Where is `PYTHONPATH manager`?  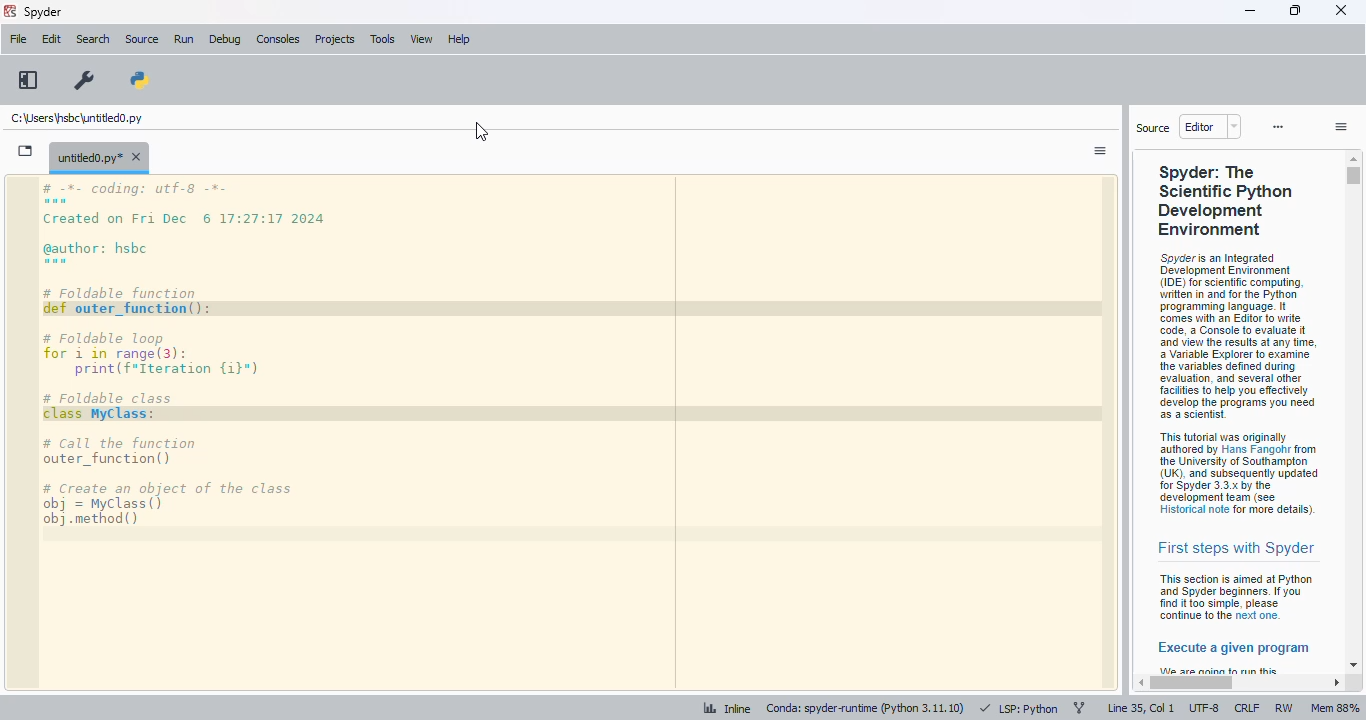 PYTHONPATH manager is located at coordinates (142, 80).